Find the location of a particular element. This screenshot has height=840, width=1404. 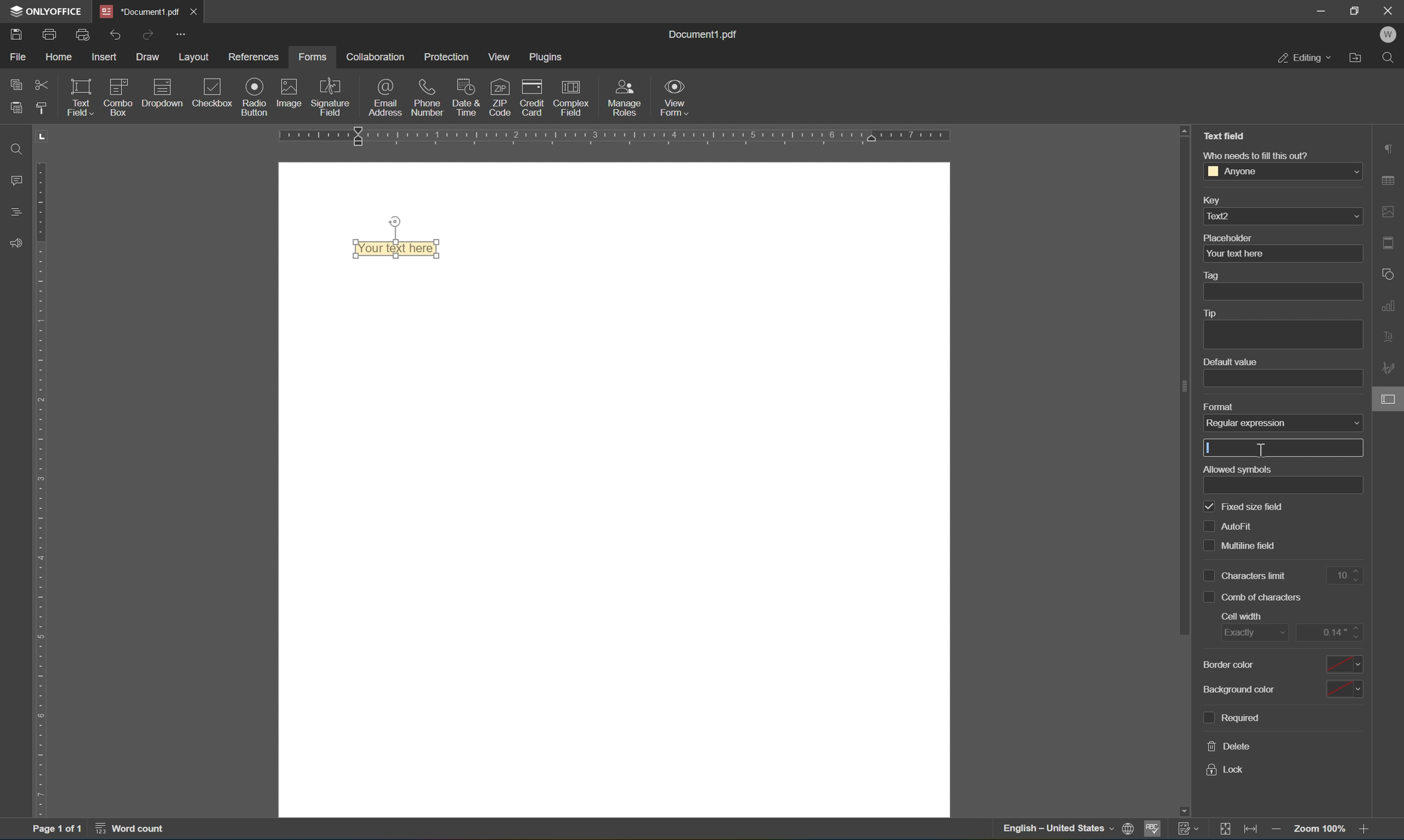

shape settings is located at coordinates (1386, 273).